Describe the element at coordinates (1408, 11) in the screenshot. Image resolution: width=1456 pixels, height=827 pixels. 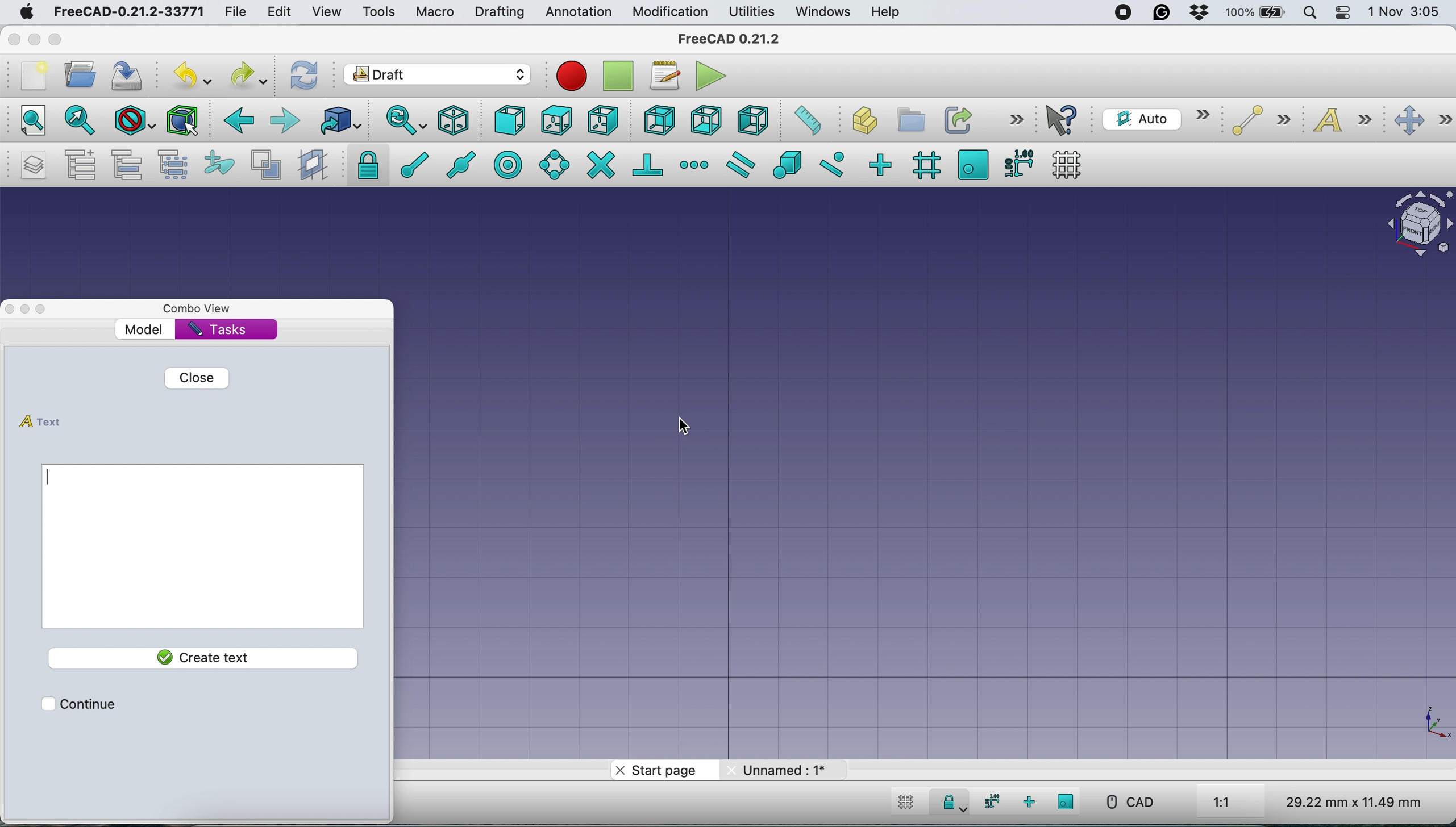
I see `date and time` at that location.